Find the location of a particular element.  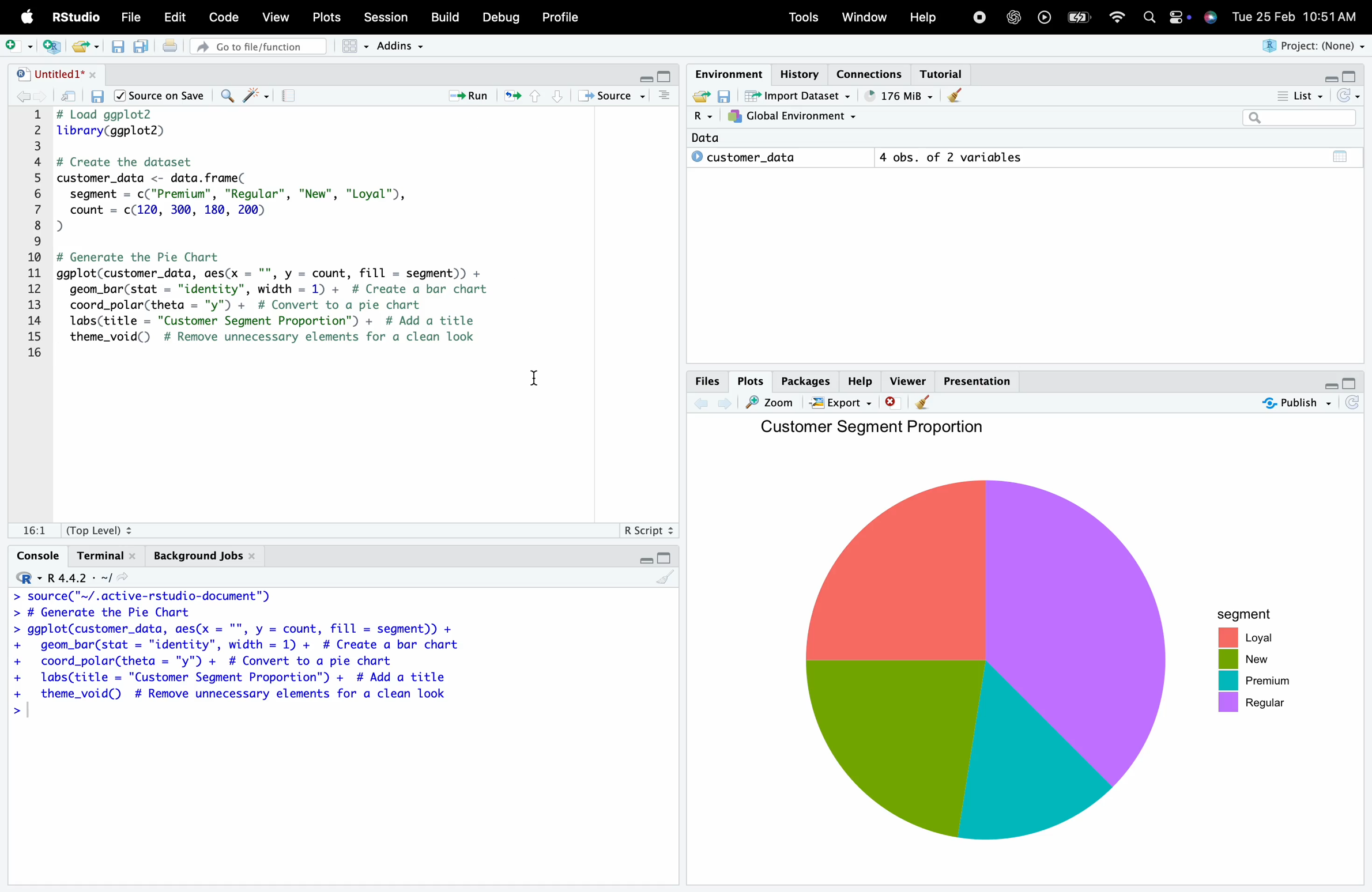

History is located at coordinates (796, 68).